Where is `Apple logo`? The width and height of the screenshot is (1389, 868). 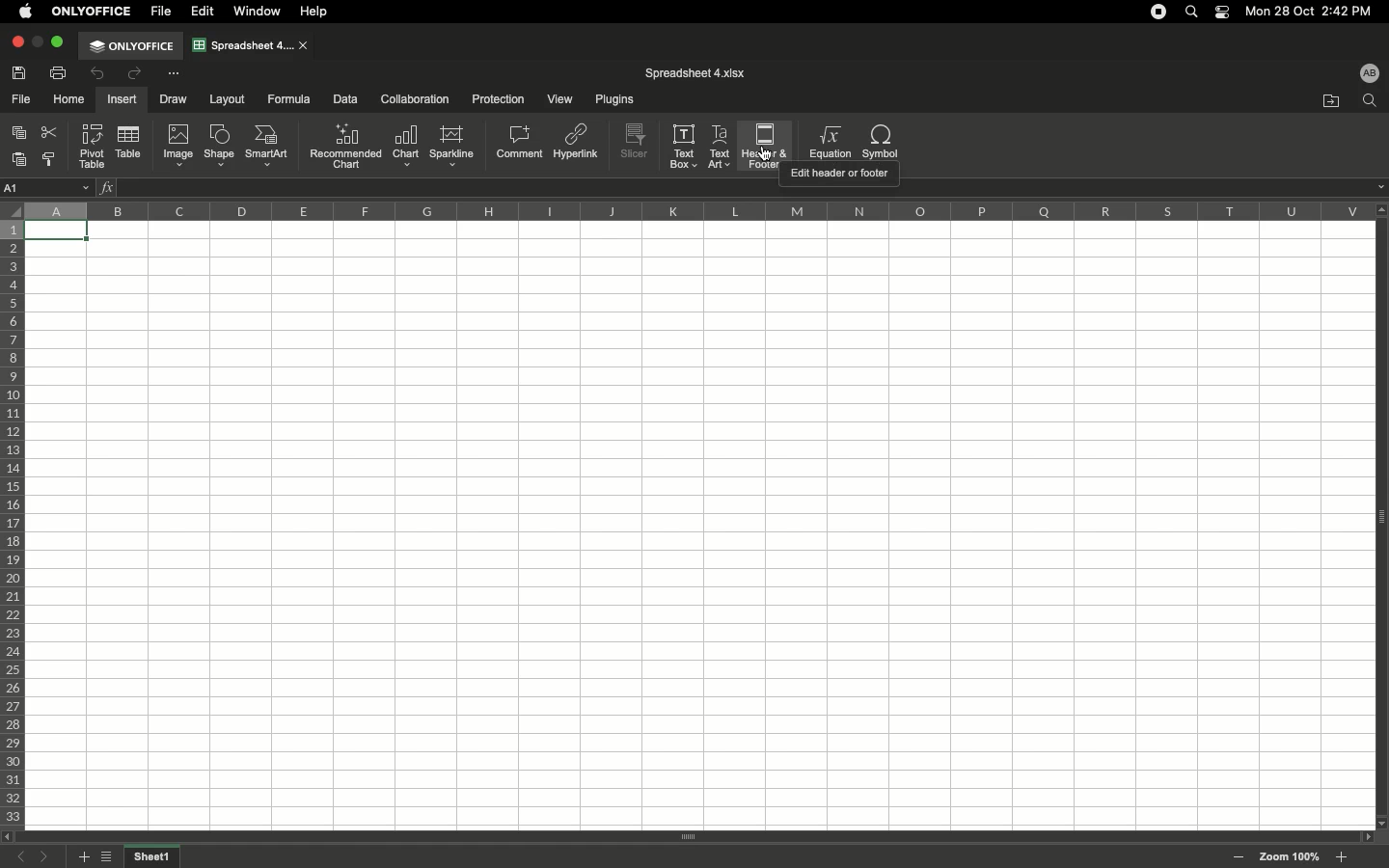 Apple logo is located at coordinates (26, 11).